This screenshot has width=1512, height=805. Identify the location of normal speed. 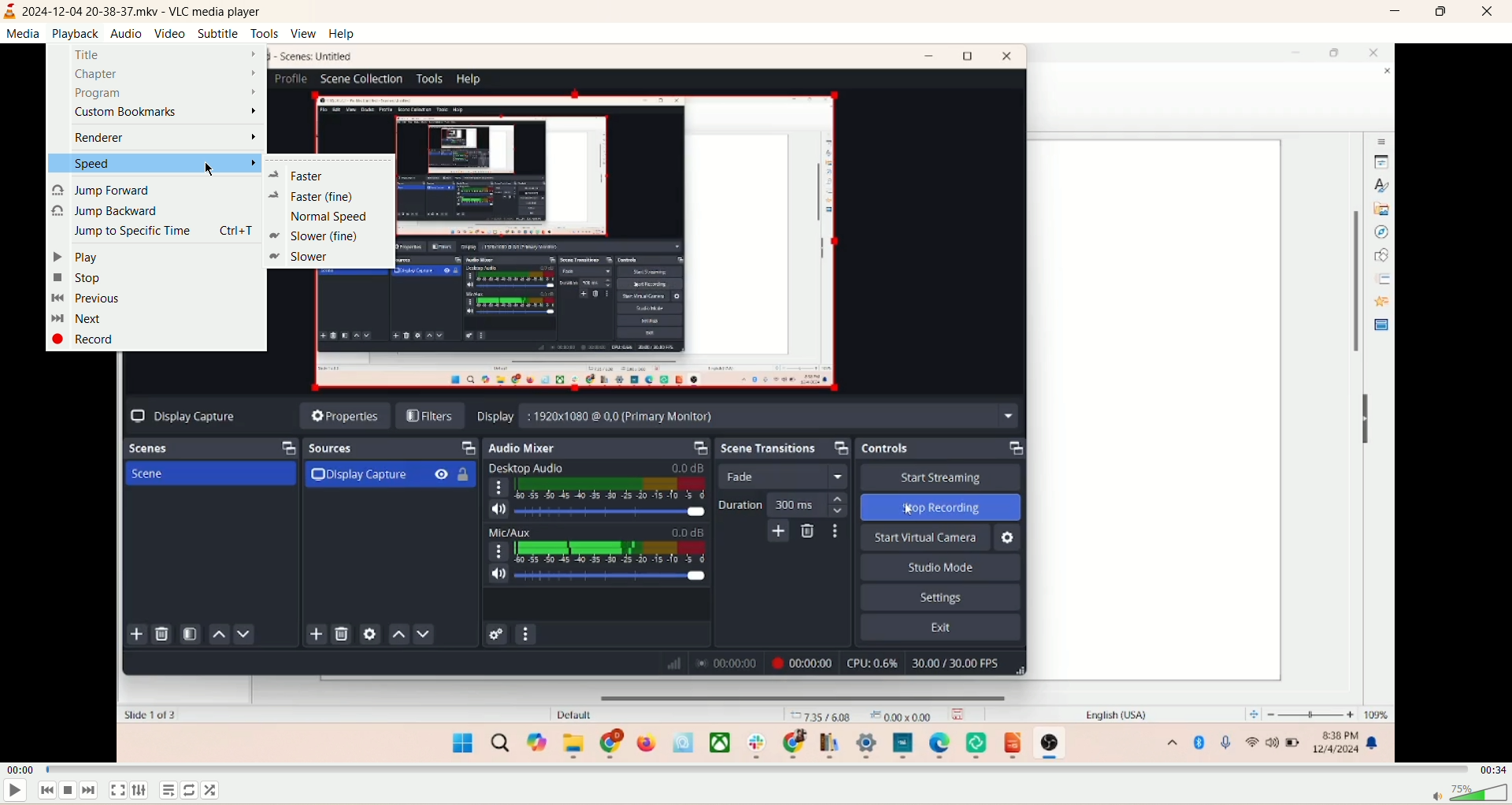
(324, 215).